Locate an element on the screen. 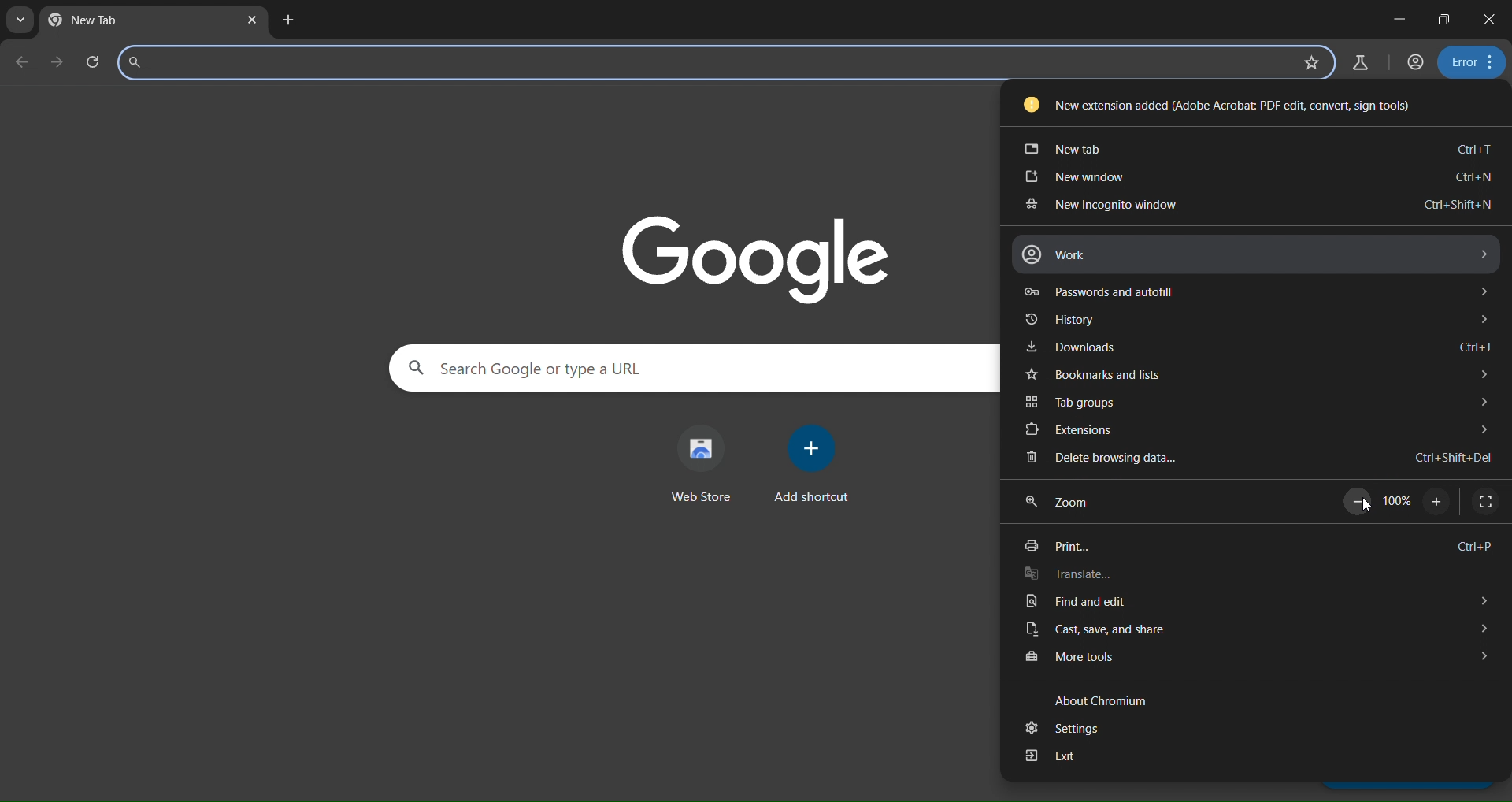 Image resolution: width=1512 pixels, height=802 pixels. image is located at coordinates (764, 259).